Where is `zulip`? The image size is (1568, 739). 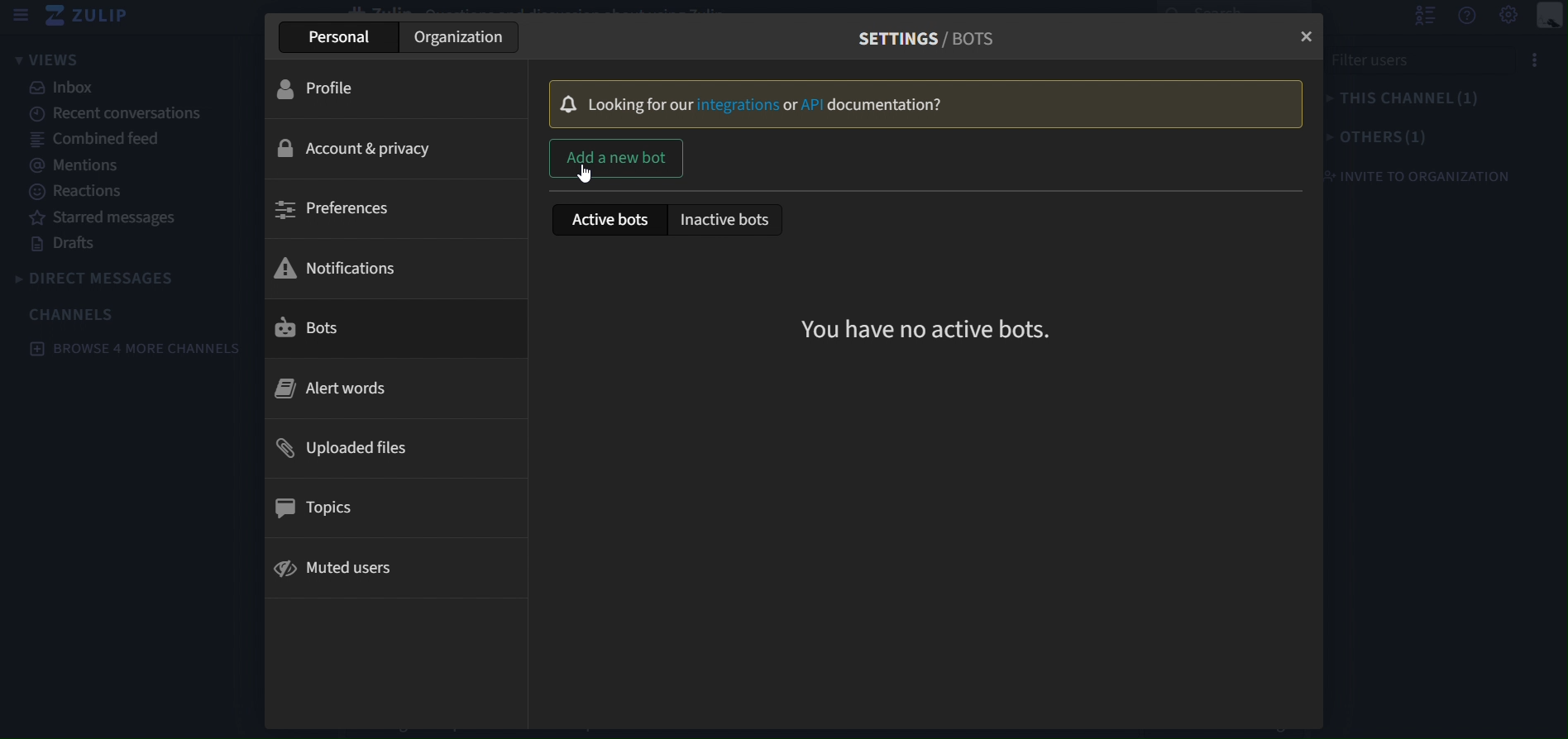
zulip is located at coordinates (93, 17).